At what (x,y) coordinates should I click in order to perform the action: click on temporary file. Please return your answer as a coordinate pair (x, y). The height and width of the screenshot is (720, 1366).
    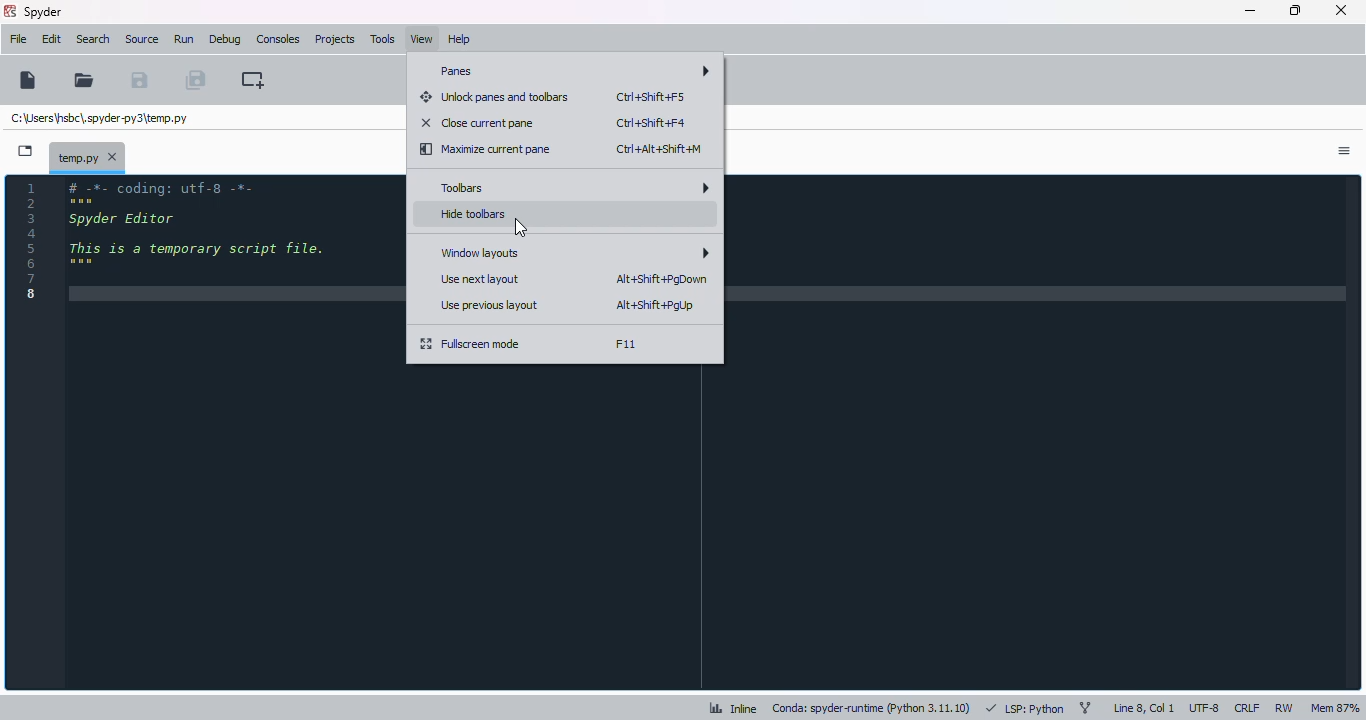
    Looking at the image, I should click on (98, 118).